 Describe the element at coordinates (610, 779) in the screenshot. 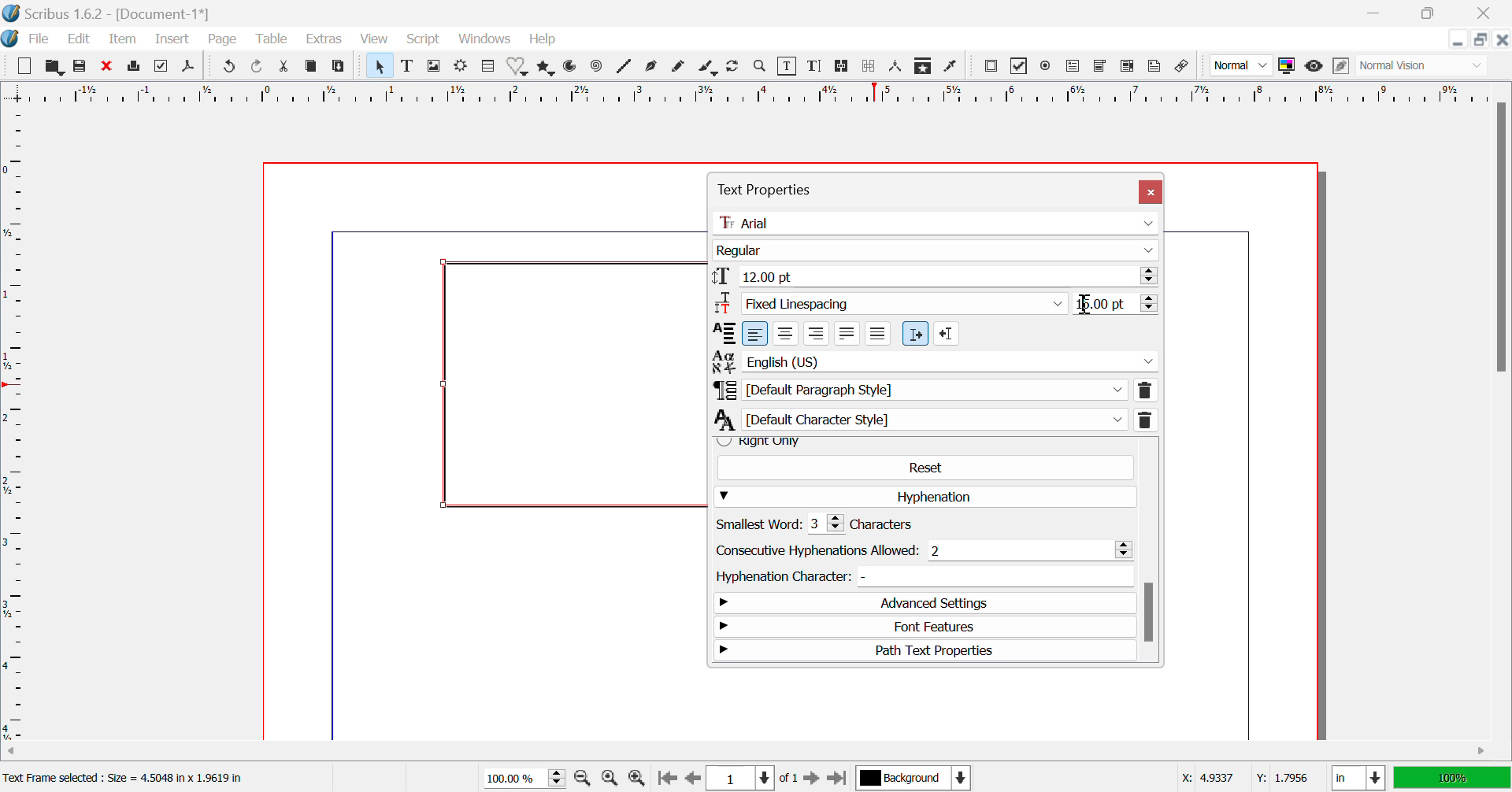

I see `Zoom to 100%` at that location.